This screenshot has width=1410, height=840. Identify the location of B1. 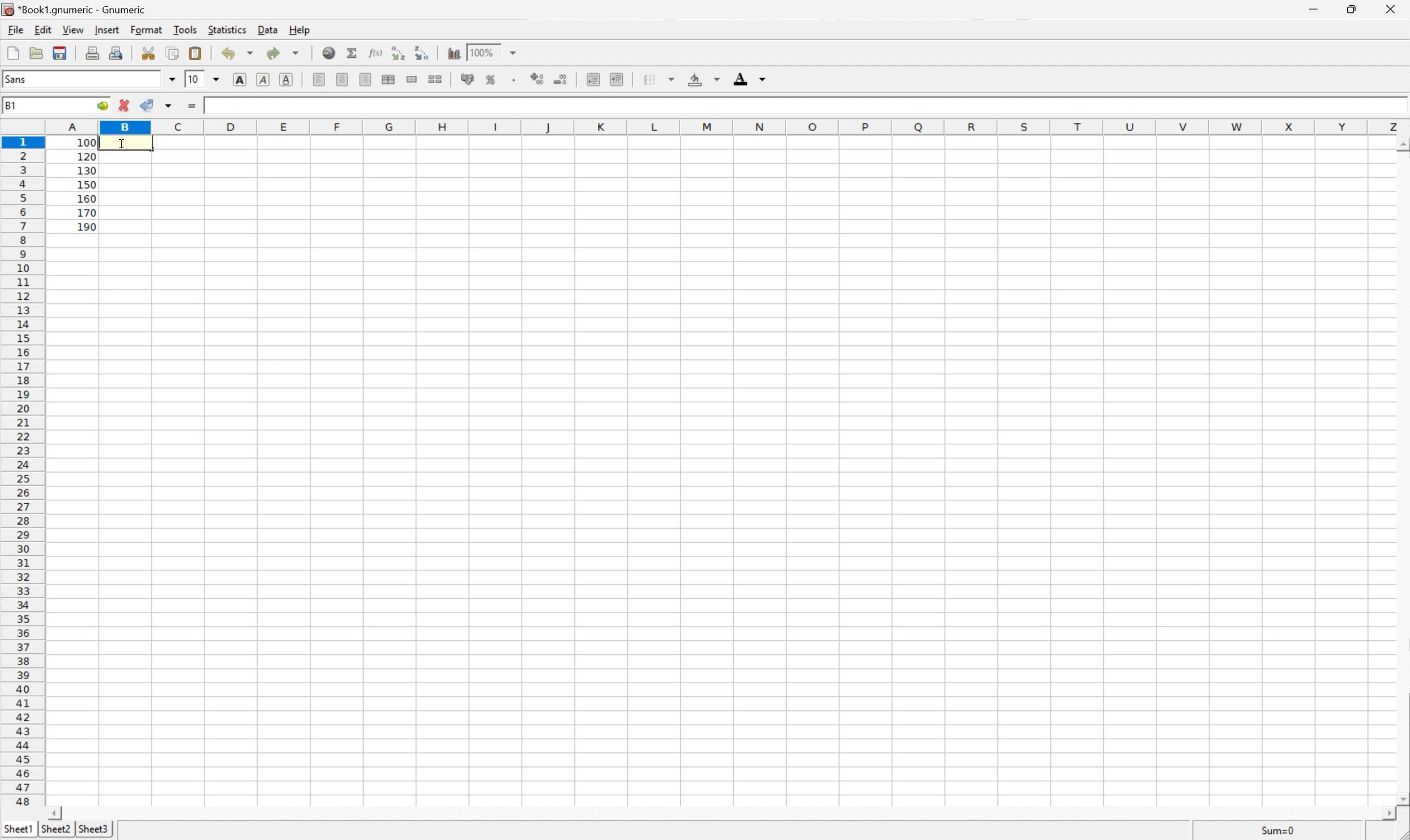
(11, 104).